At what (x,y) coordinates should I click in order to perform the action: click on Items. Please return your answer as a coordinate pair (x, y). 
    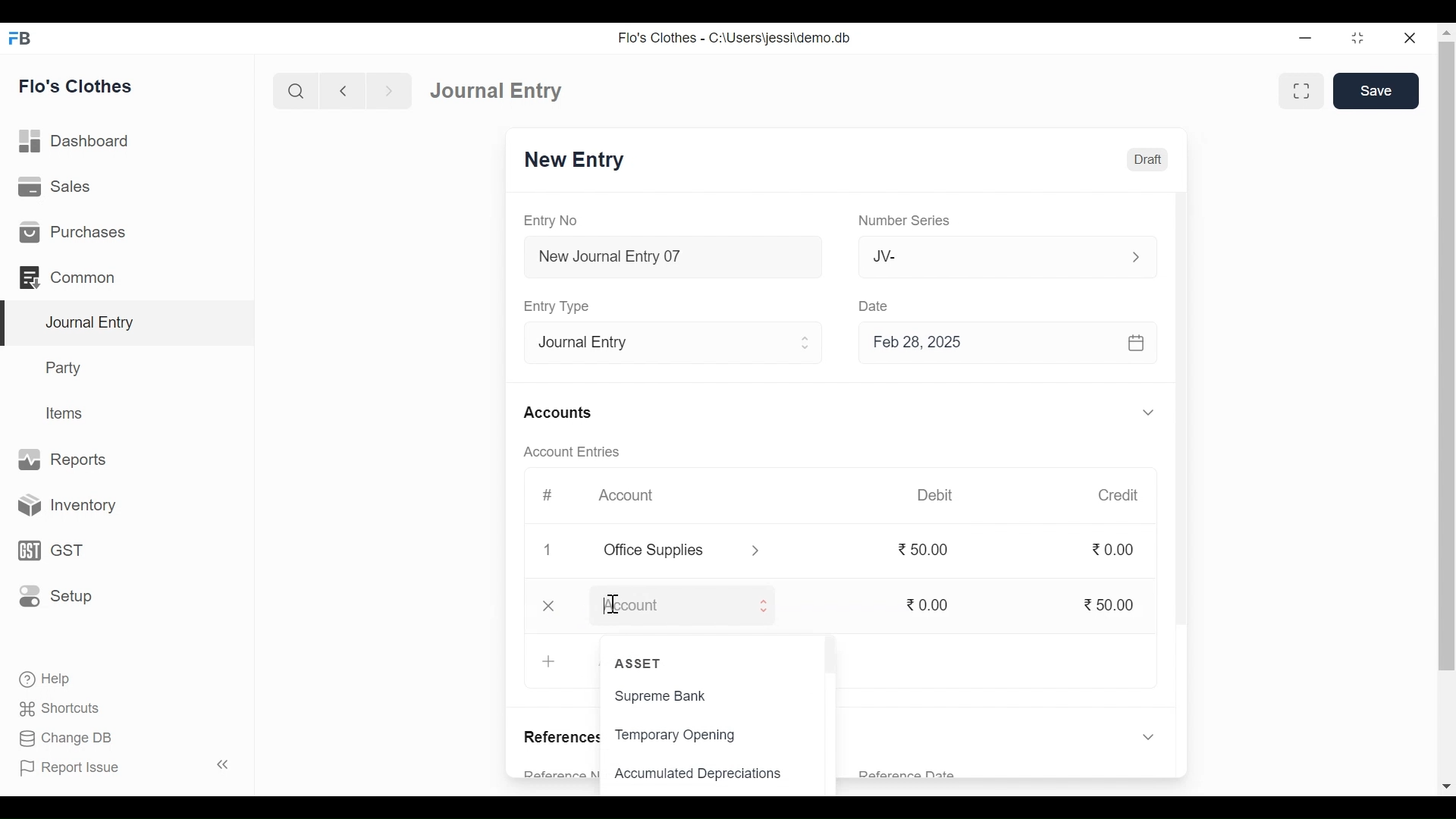
    Looking at the image, I should click on (67, 413).